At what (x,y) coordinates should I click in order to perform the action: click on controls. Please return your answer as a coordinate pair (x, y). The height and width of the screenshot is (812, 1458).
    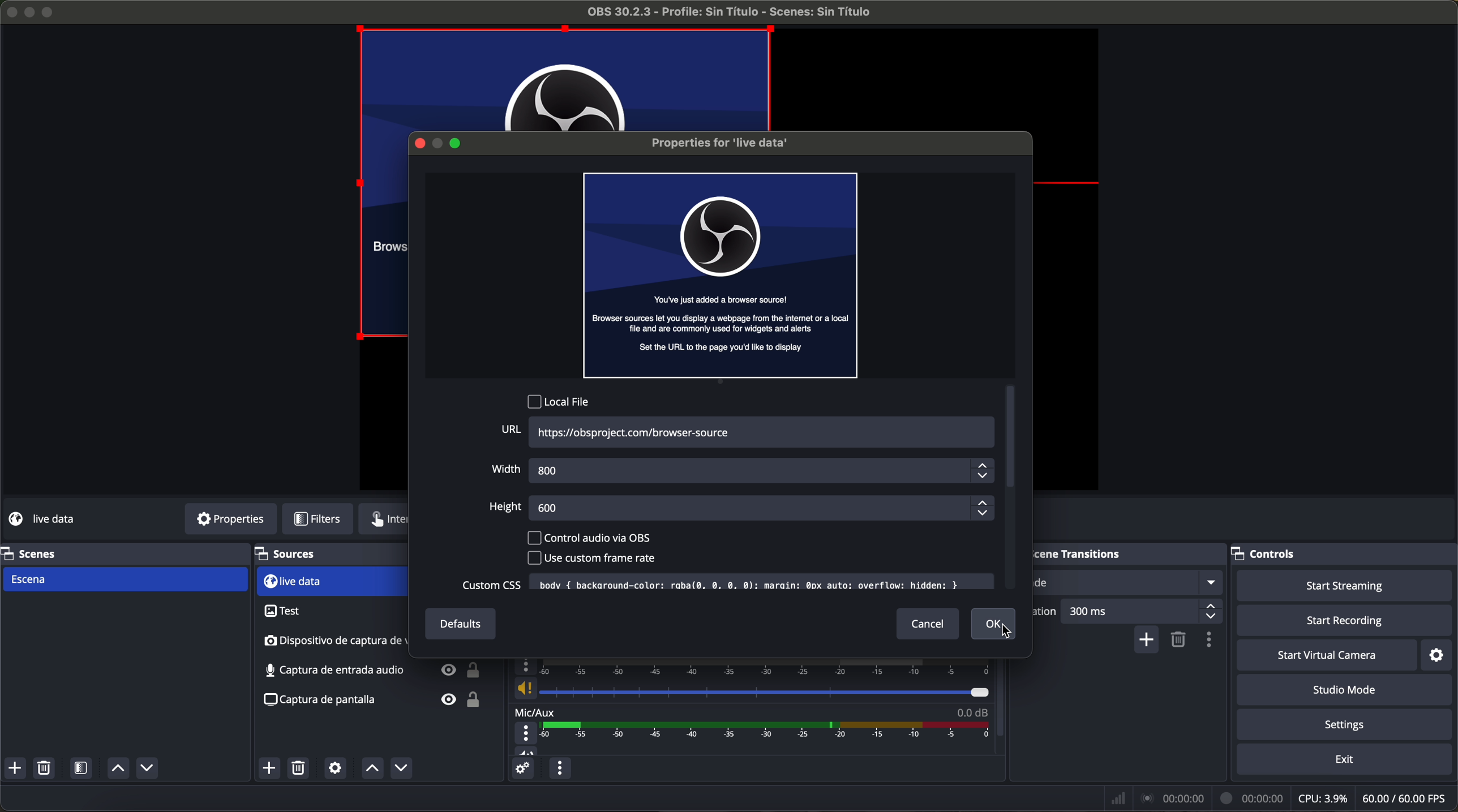
    Looking at the image, I should click on (1268, 552).